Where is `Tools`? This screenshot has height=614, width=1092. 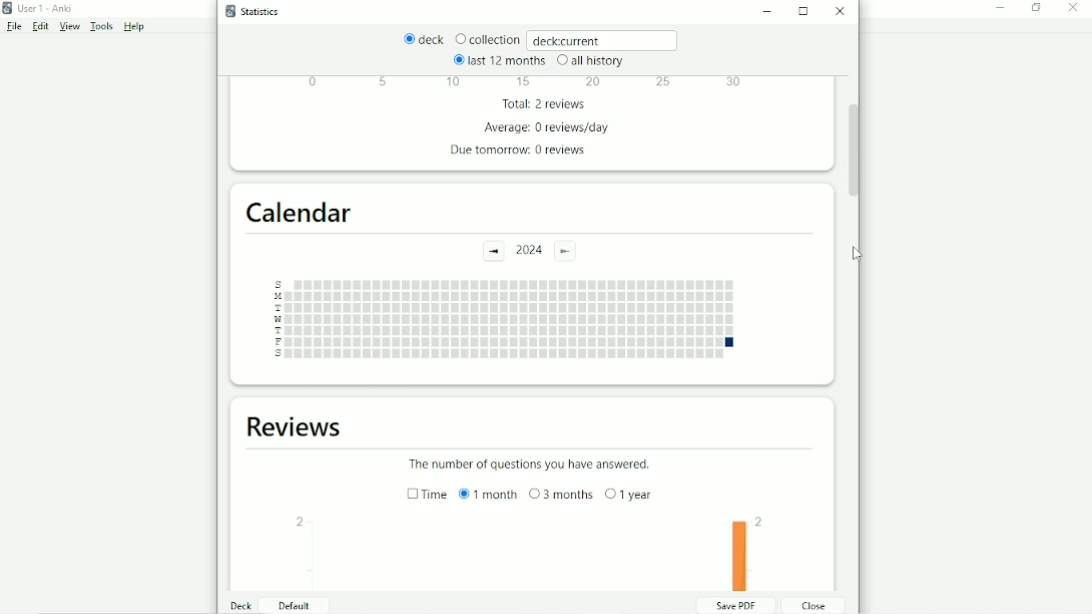 Tools is located at coordinates (103, 27).